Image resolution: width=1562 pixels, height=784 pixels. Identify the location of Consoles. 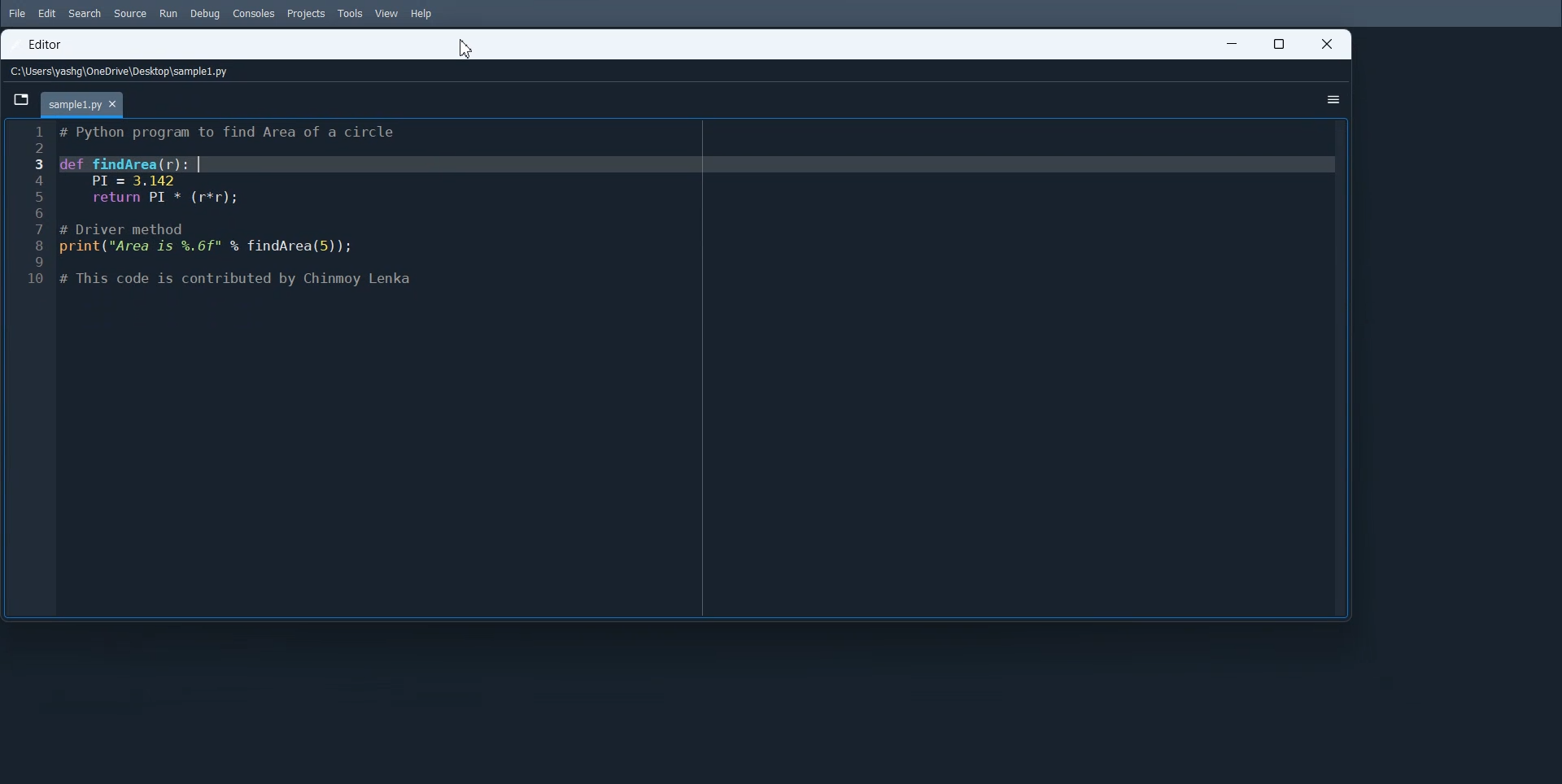
(255, 14).